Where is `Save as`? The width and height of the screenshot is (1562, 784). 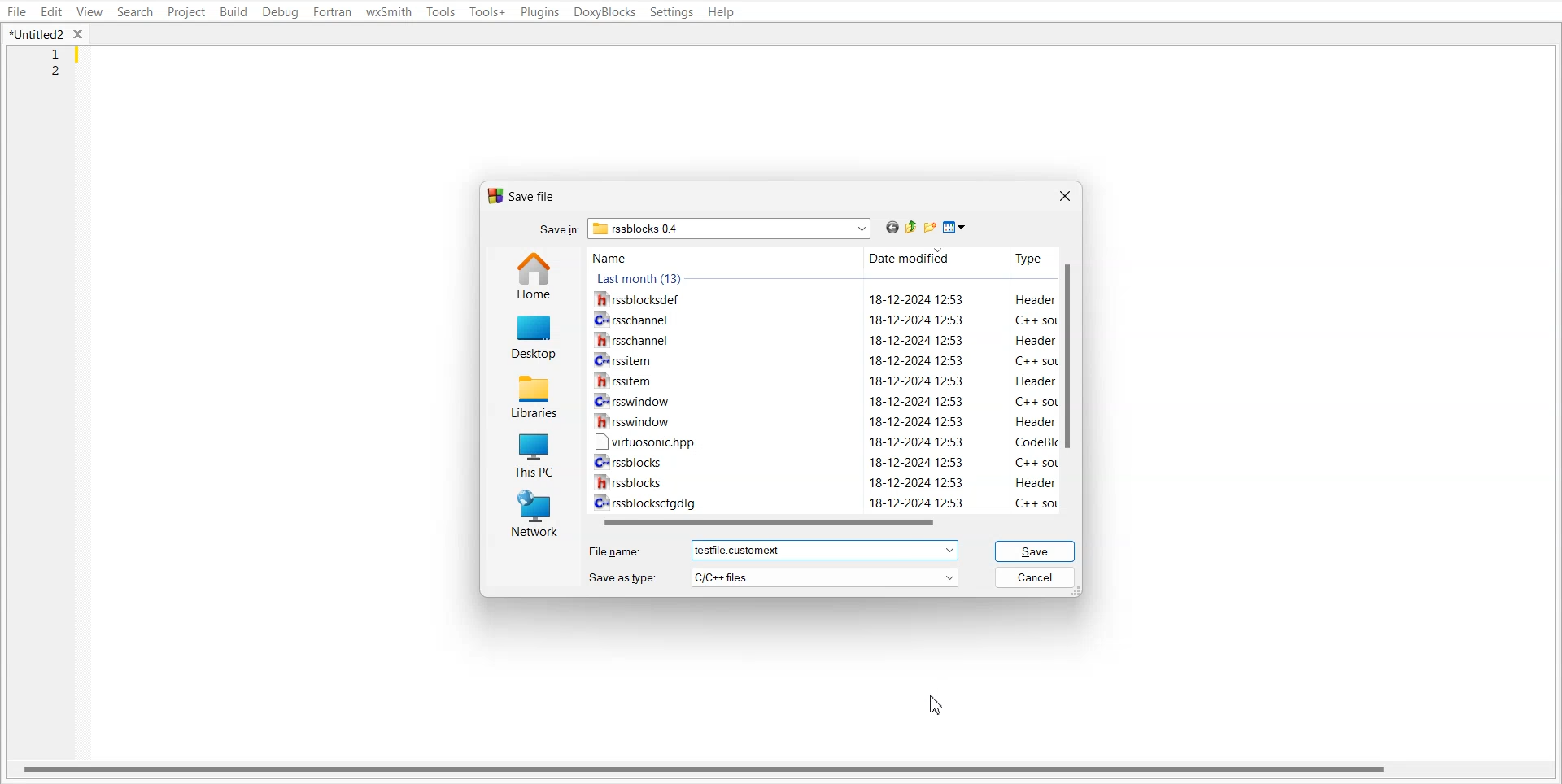
Save as is located at coordinates (956, 229).